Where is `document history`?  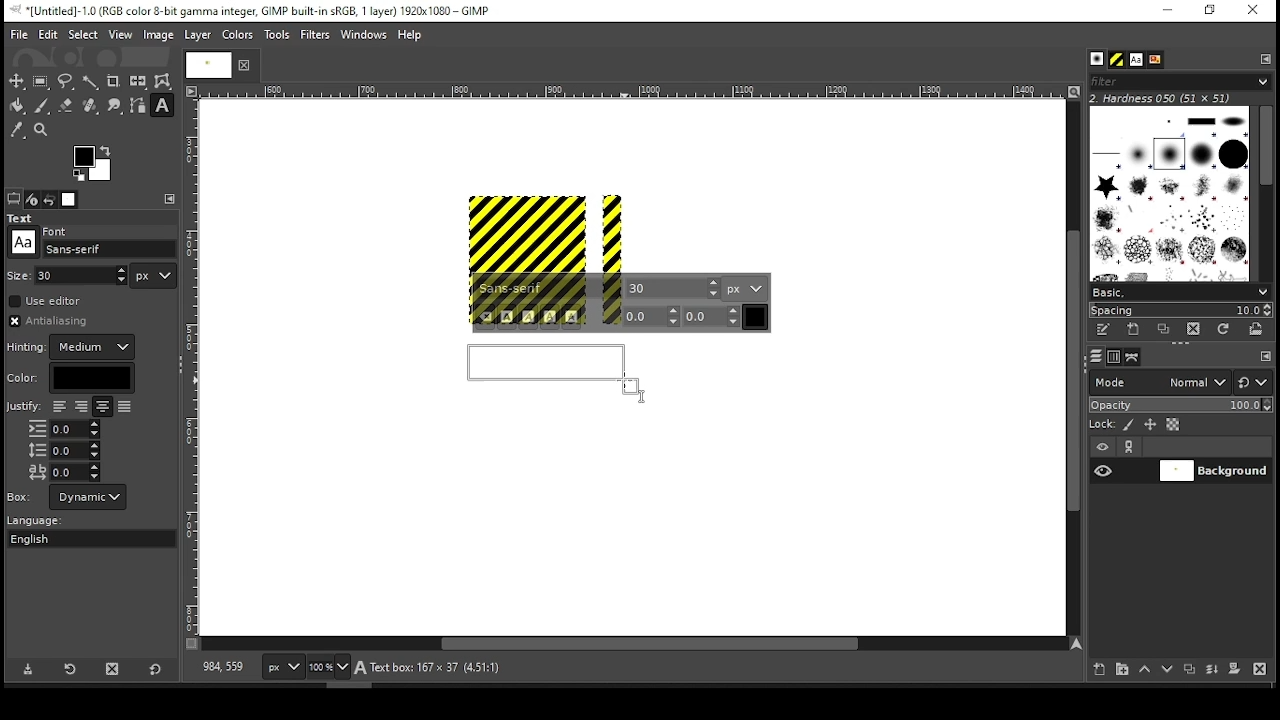
document history is located at coordinates (1154, 60).